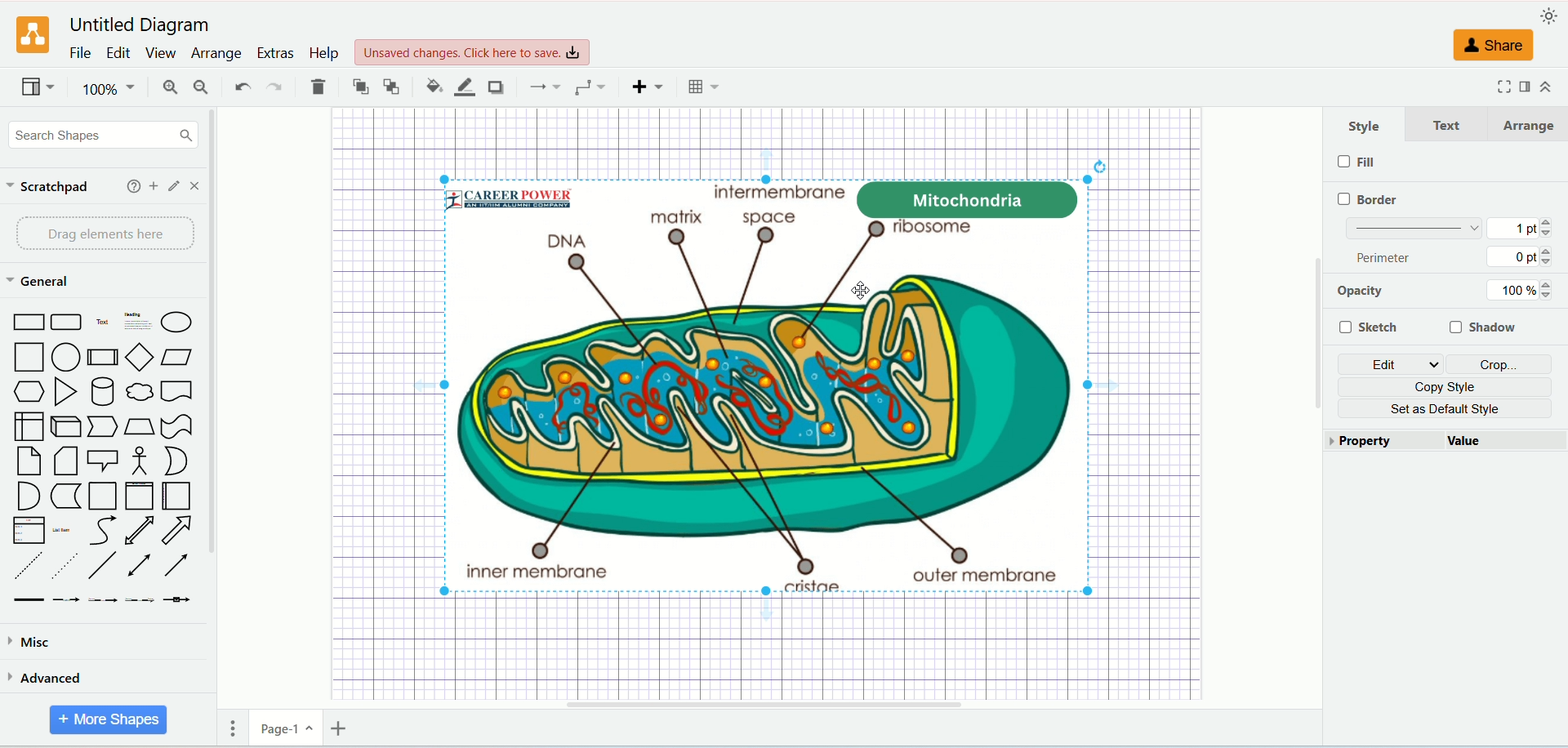 Image resolution: width=1568 pixels, height=748 pixels. Describe the element at coordinates (1383, 443) in the screenshot. I see `property` at that location.